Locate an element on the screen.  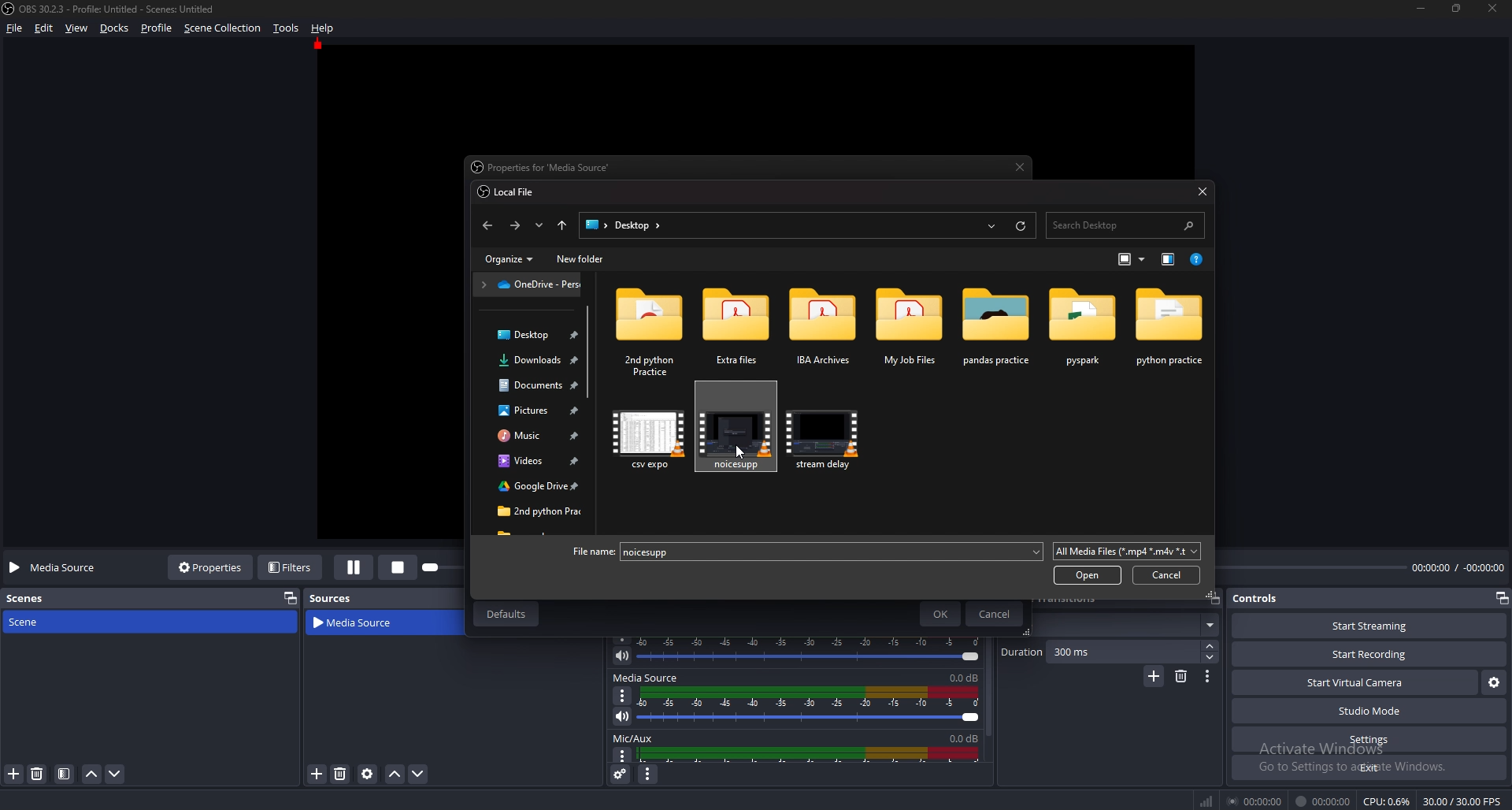
Edit is located at coordinates (46, 28).